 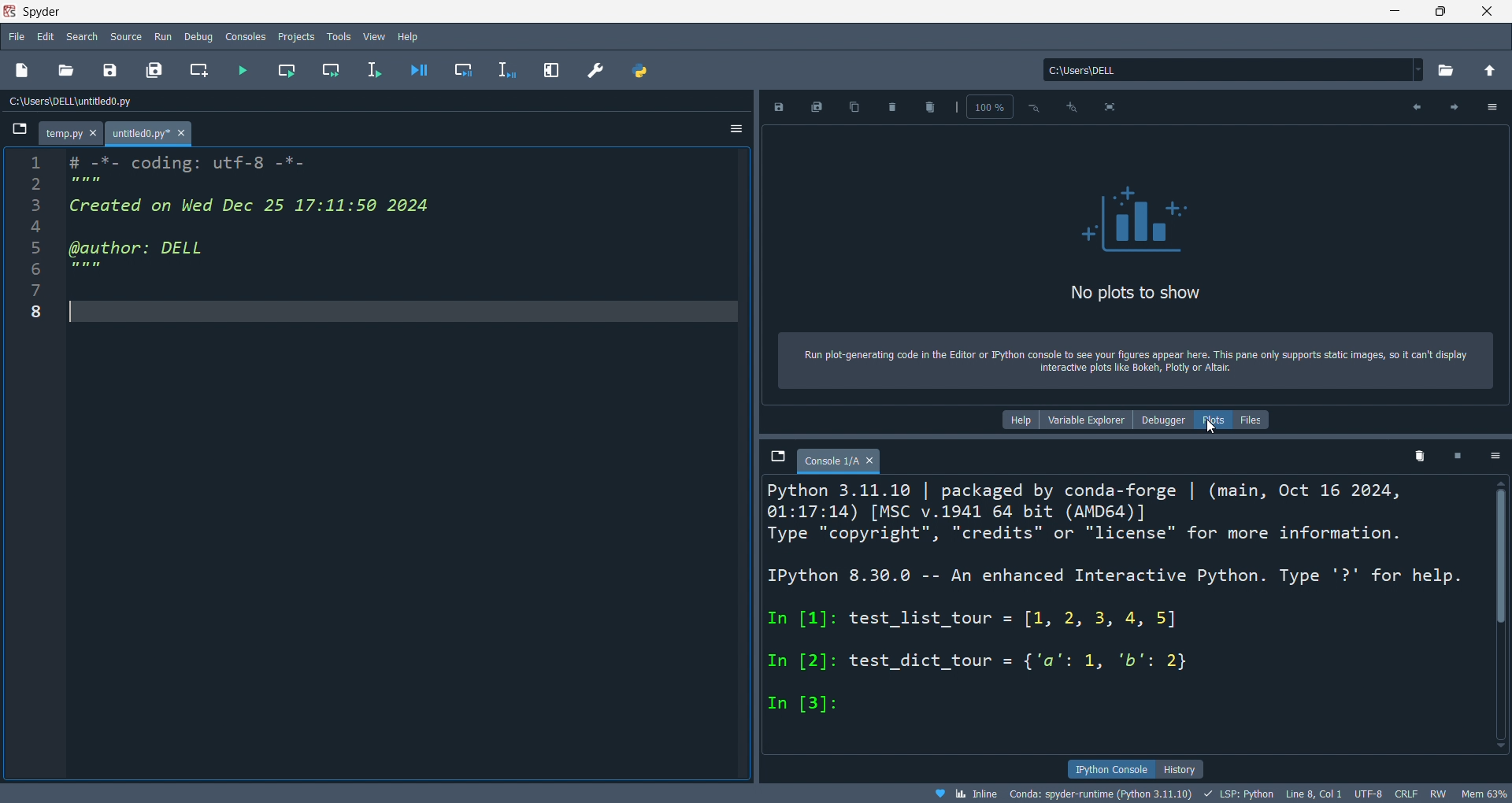 I want to click on expand pane, so click(x=551, y=72).